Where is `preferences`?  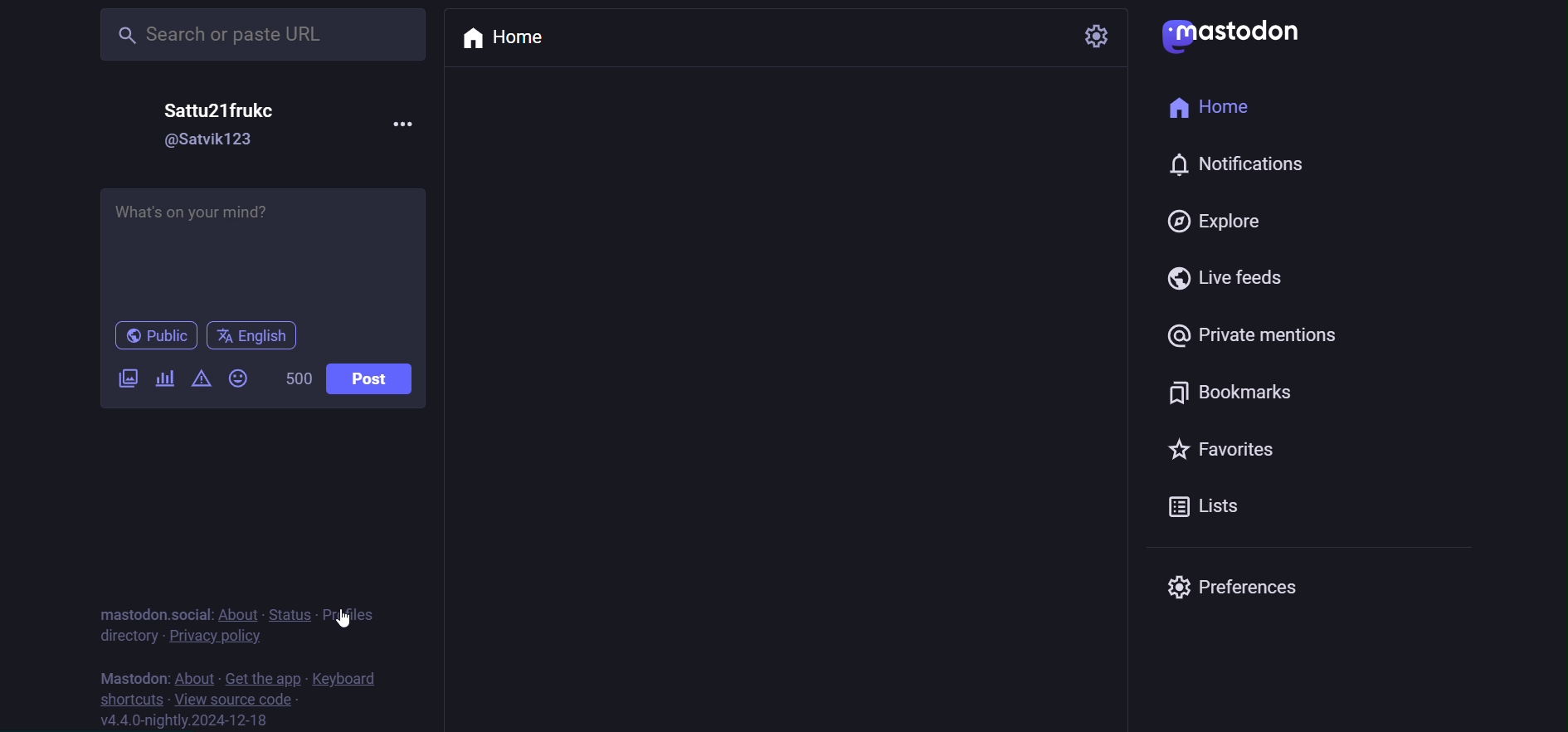
preferences is located at coordinates (1245, 584).